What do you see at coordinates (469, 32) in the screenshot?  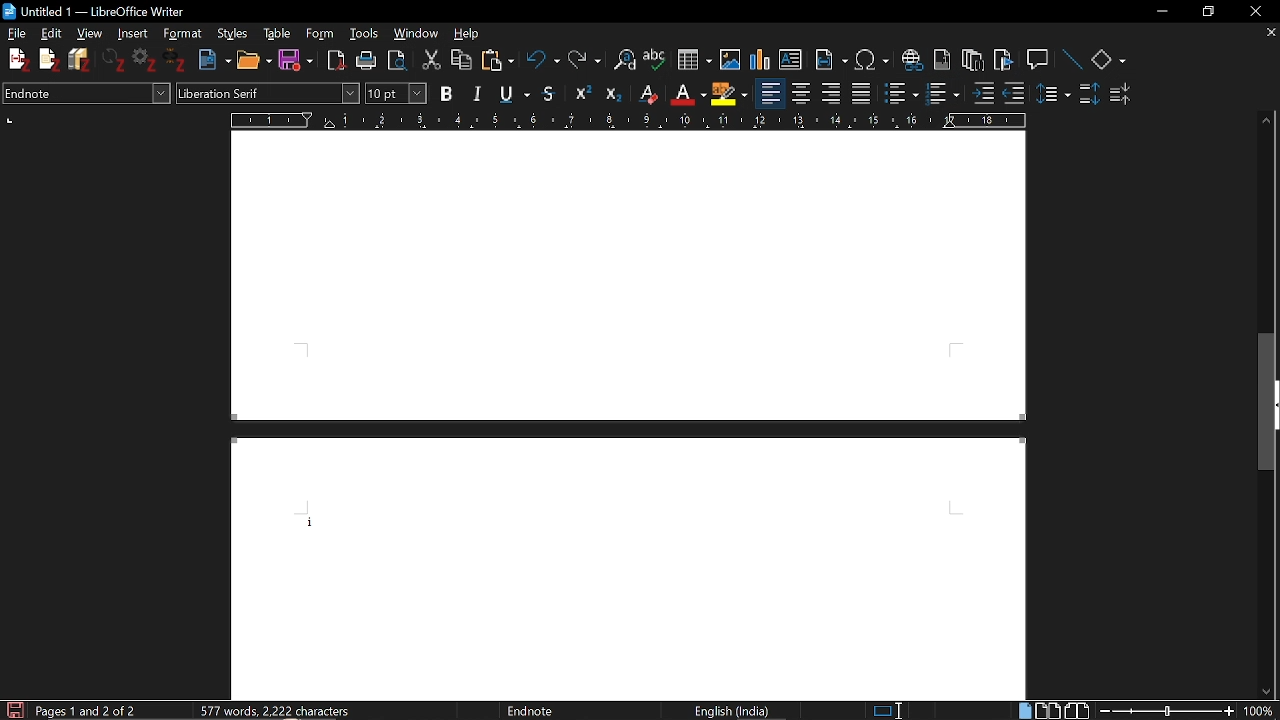 I see `help` at bounding box center [469, 32].